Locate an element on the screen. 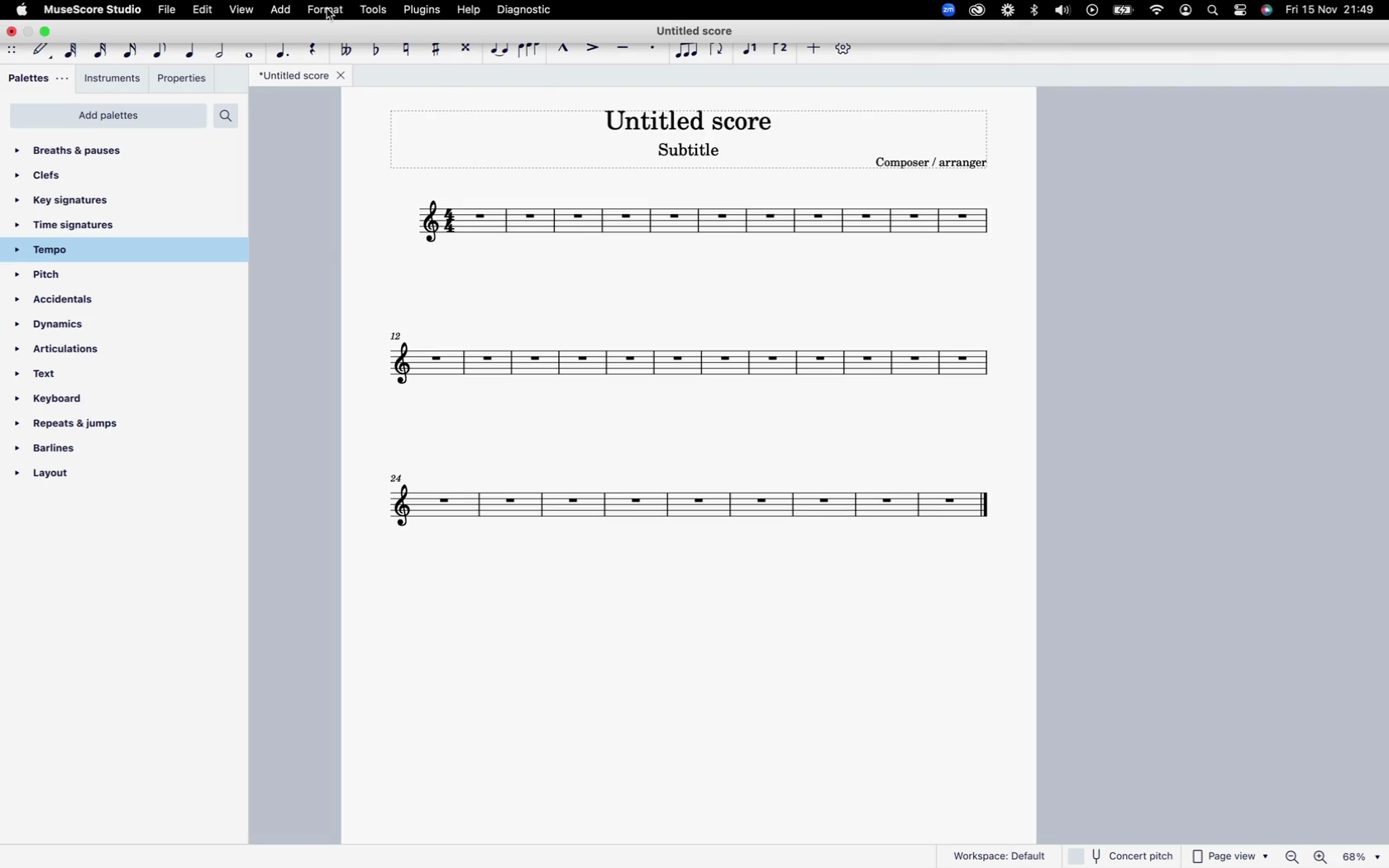 The height and width of the screenshot is (868, 1389). tools is located at coordinates (375, 11).